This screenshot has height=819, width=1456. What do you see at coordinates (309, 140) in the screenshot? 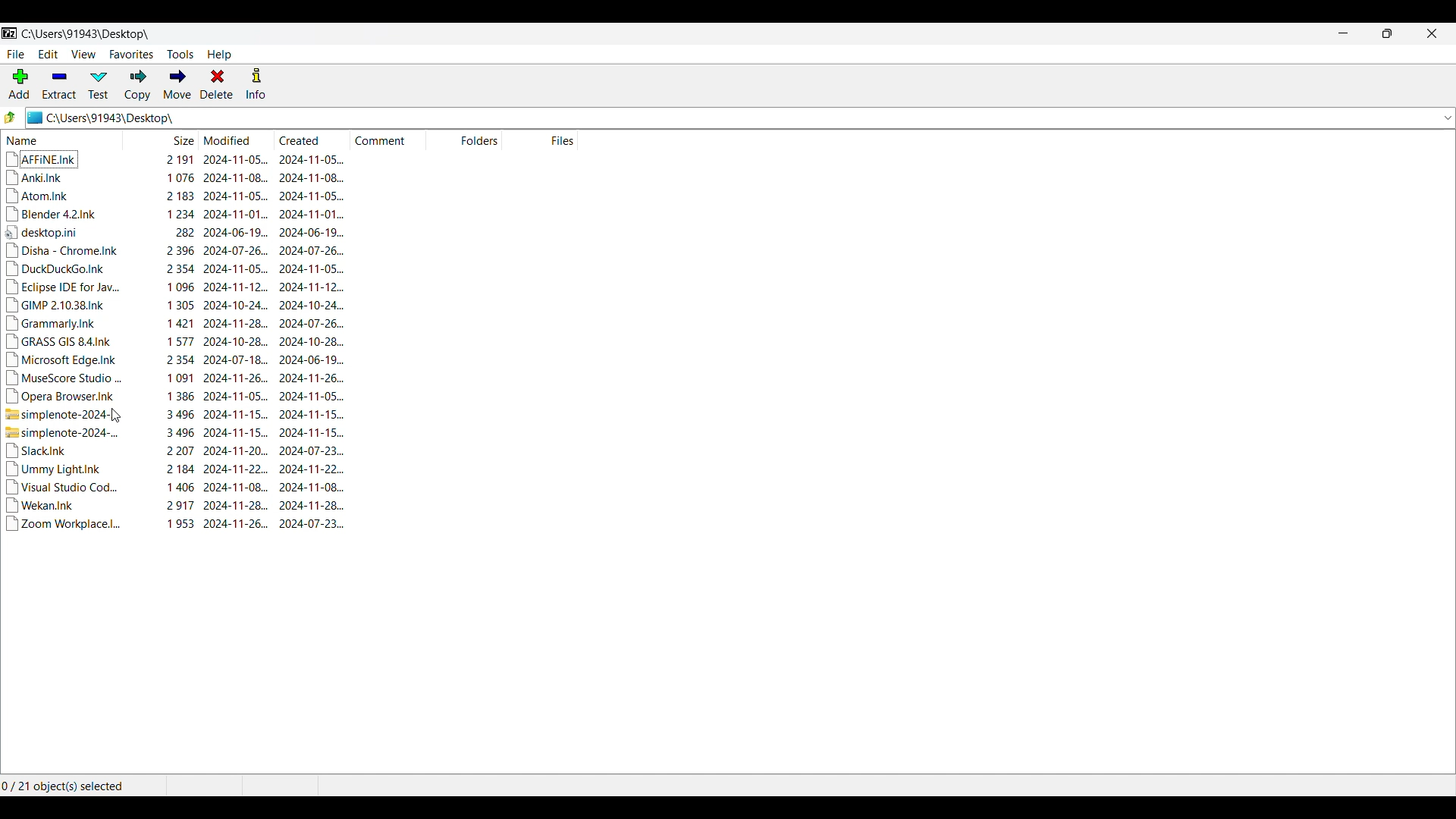
I see `Created` at bounding box center [309, 140].